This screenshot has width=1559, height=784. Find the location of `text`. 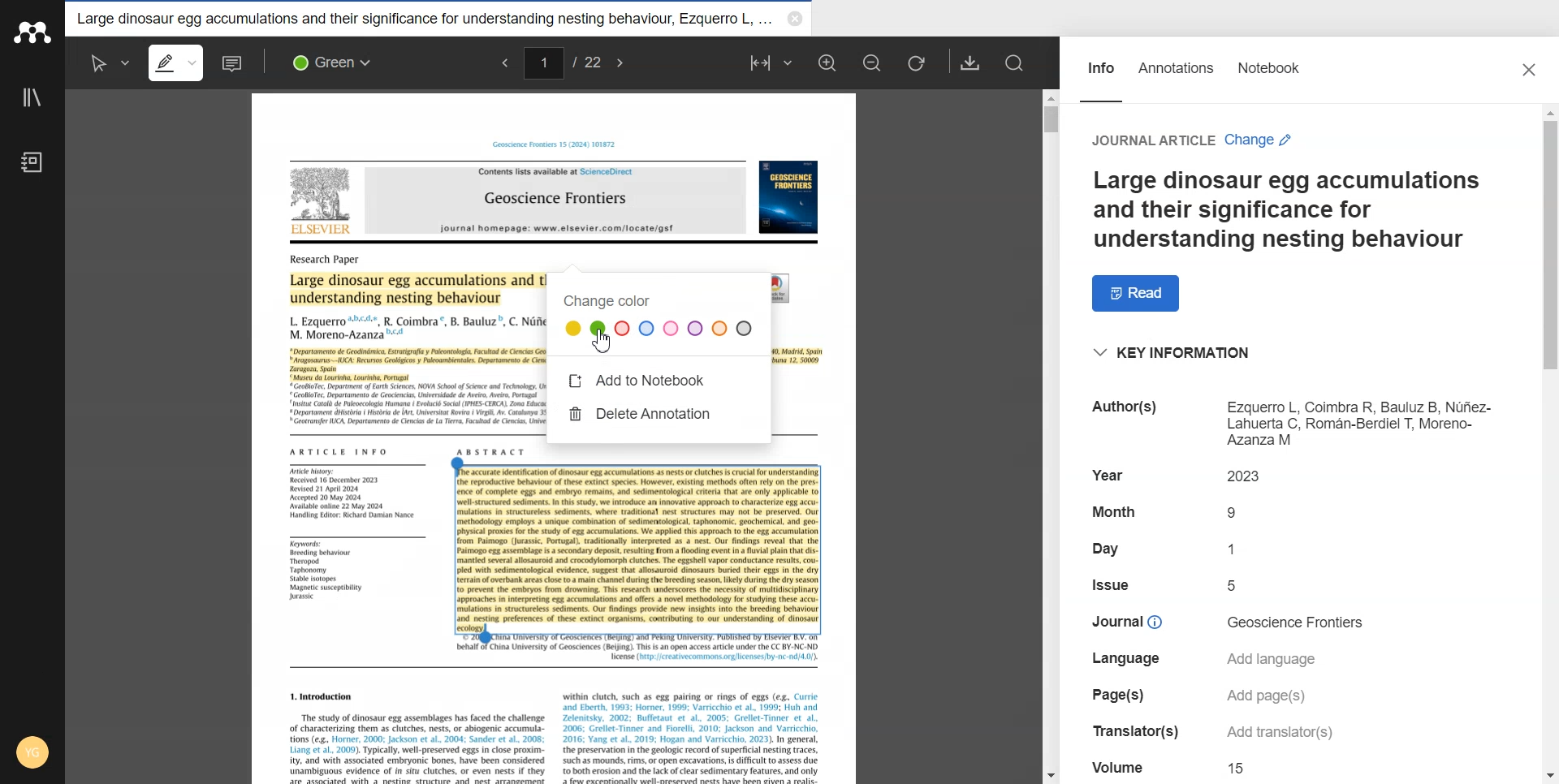

text is located at coordinates (1276, 658).